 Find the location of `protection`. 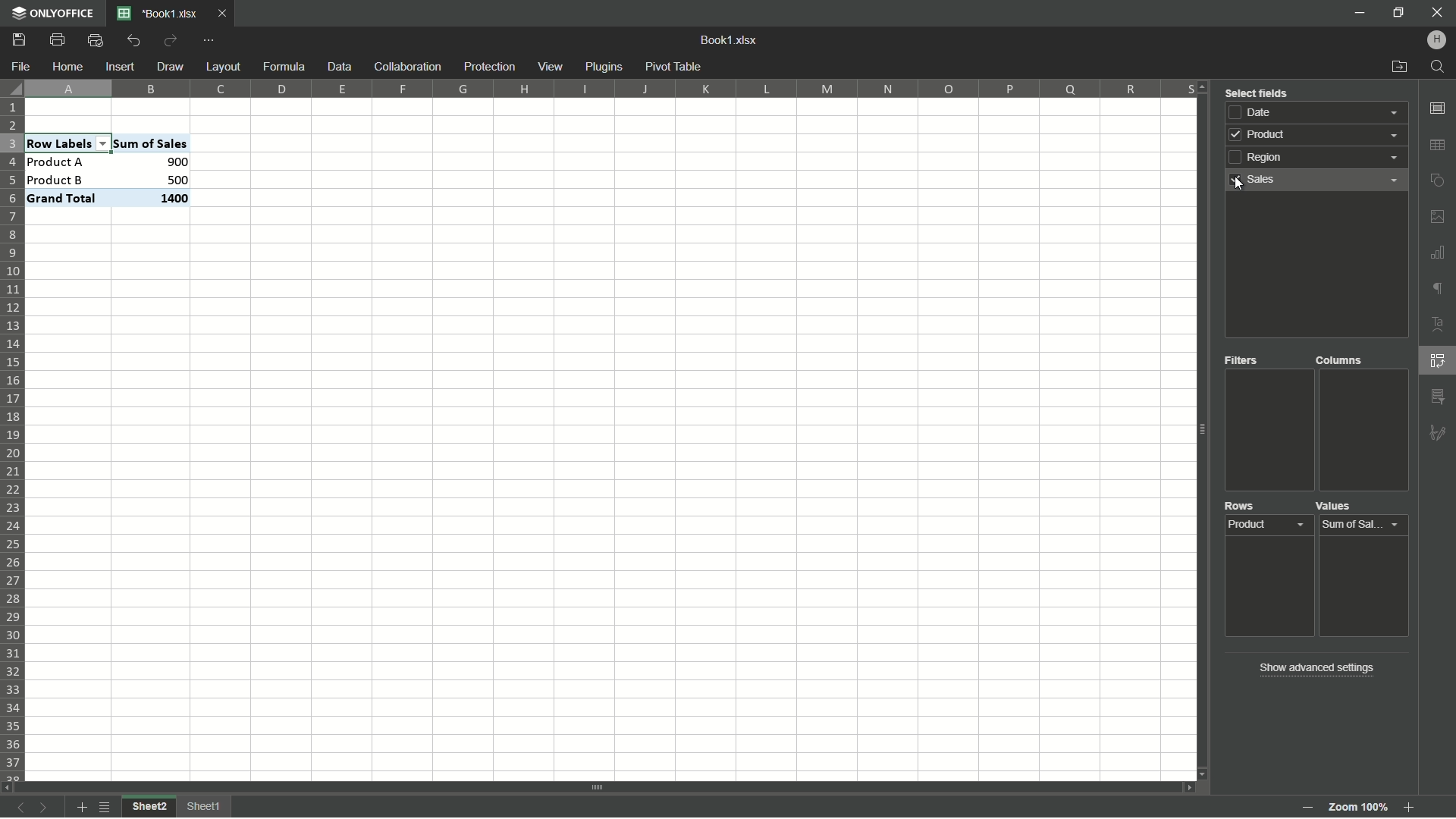

protection is located at coordinates (488, 67).